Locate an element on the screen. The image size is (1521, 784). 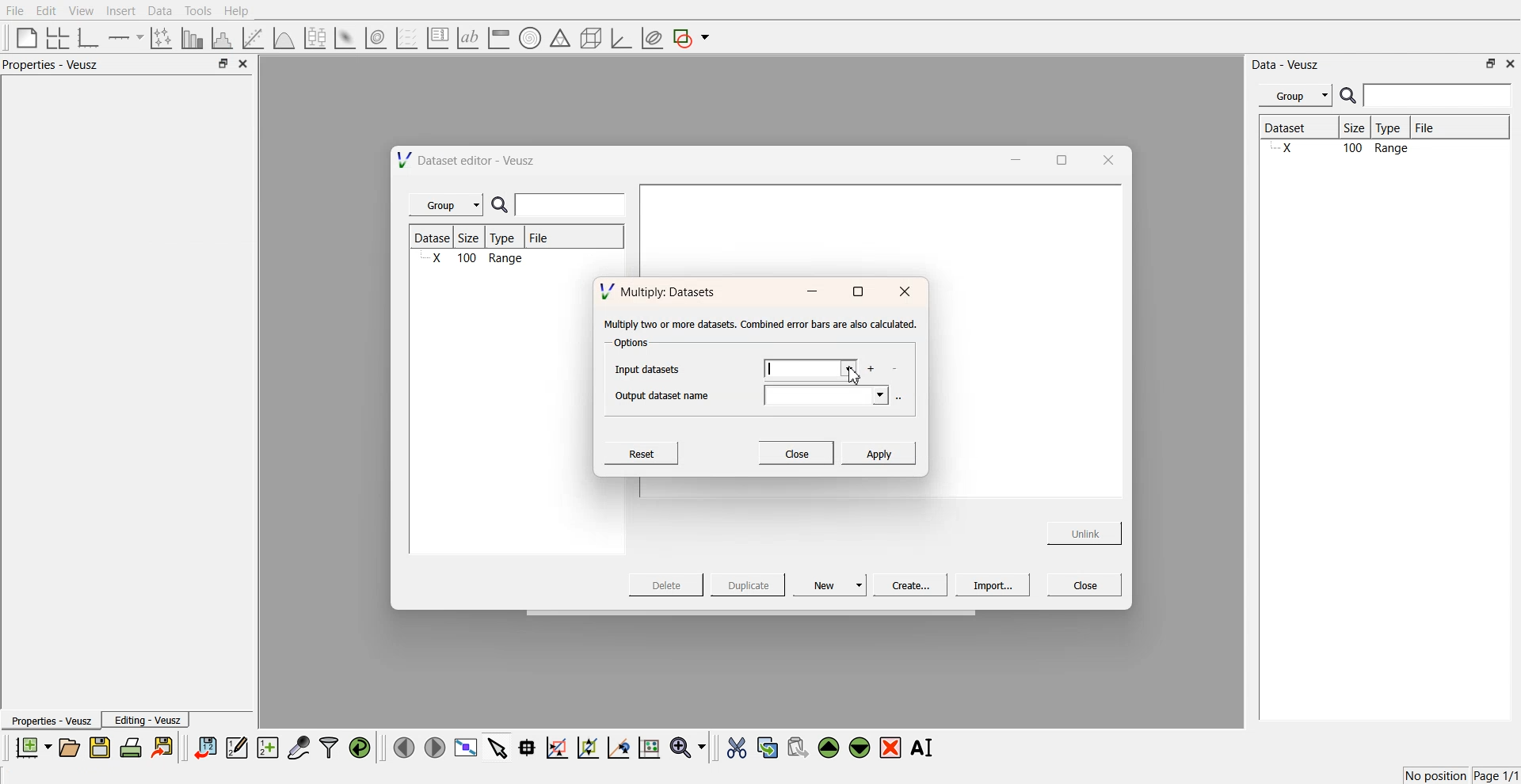
output datasets field is located at coordinates (826, 396).